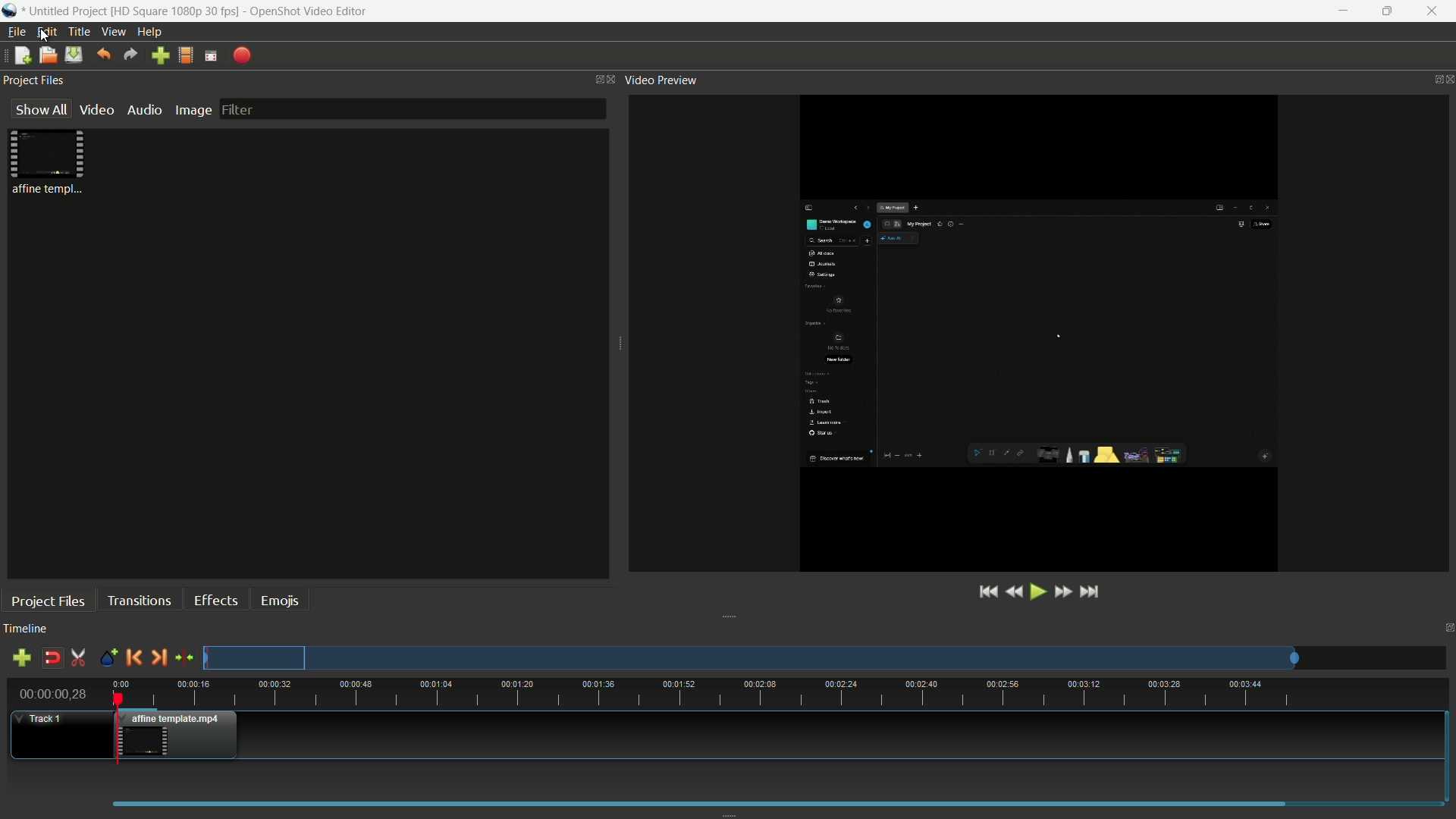 Image resolution: width=1456 pixels, height=819 pixels. What do you see at coordinates (186, 55) in the screenshot?
I see `profile` at bounding box center [186, 55].